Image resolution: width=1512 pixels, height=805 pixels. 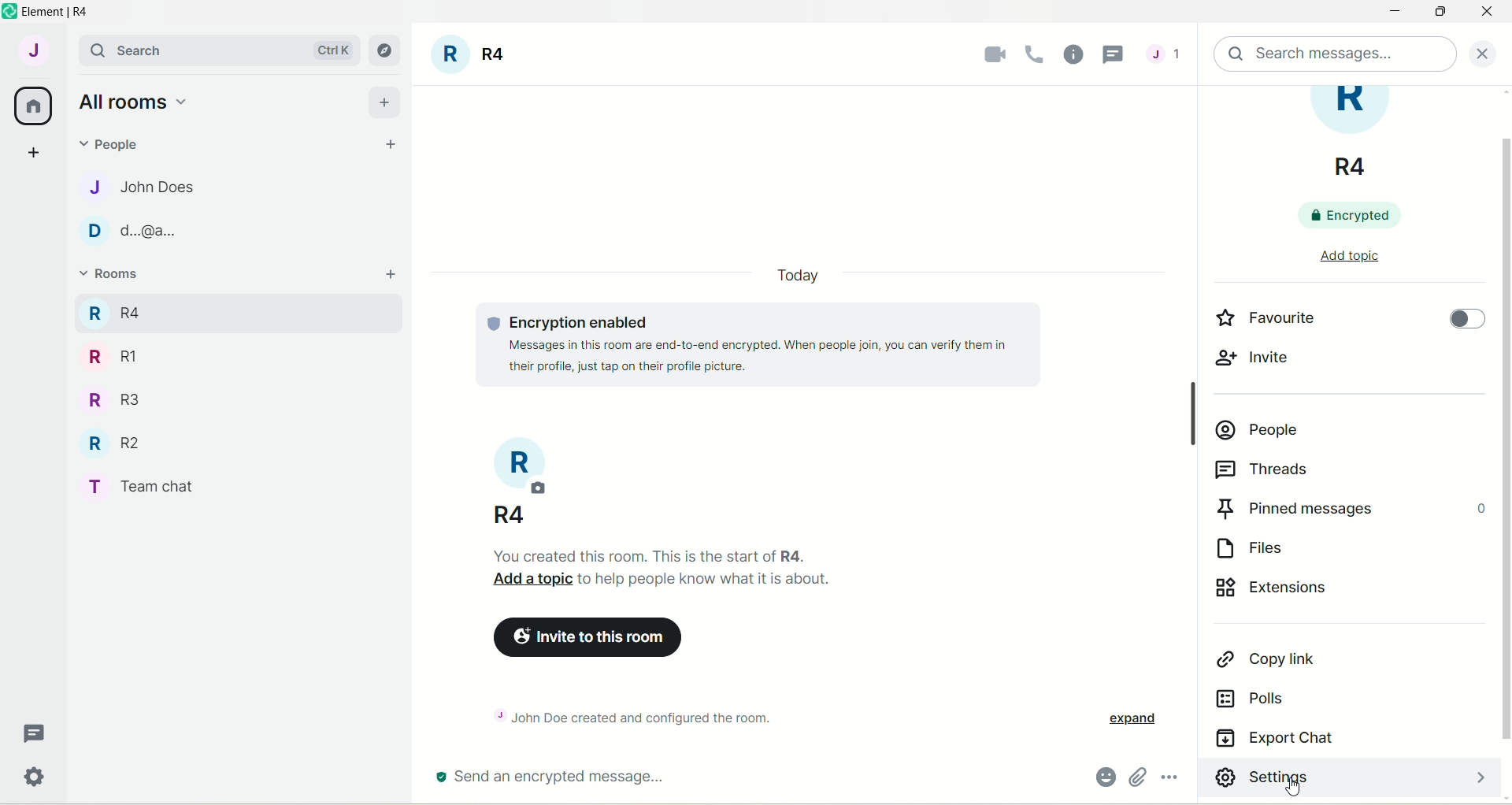 I want to click on R RI, so click(x=113, y=356).